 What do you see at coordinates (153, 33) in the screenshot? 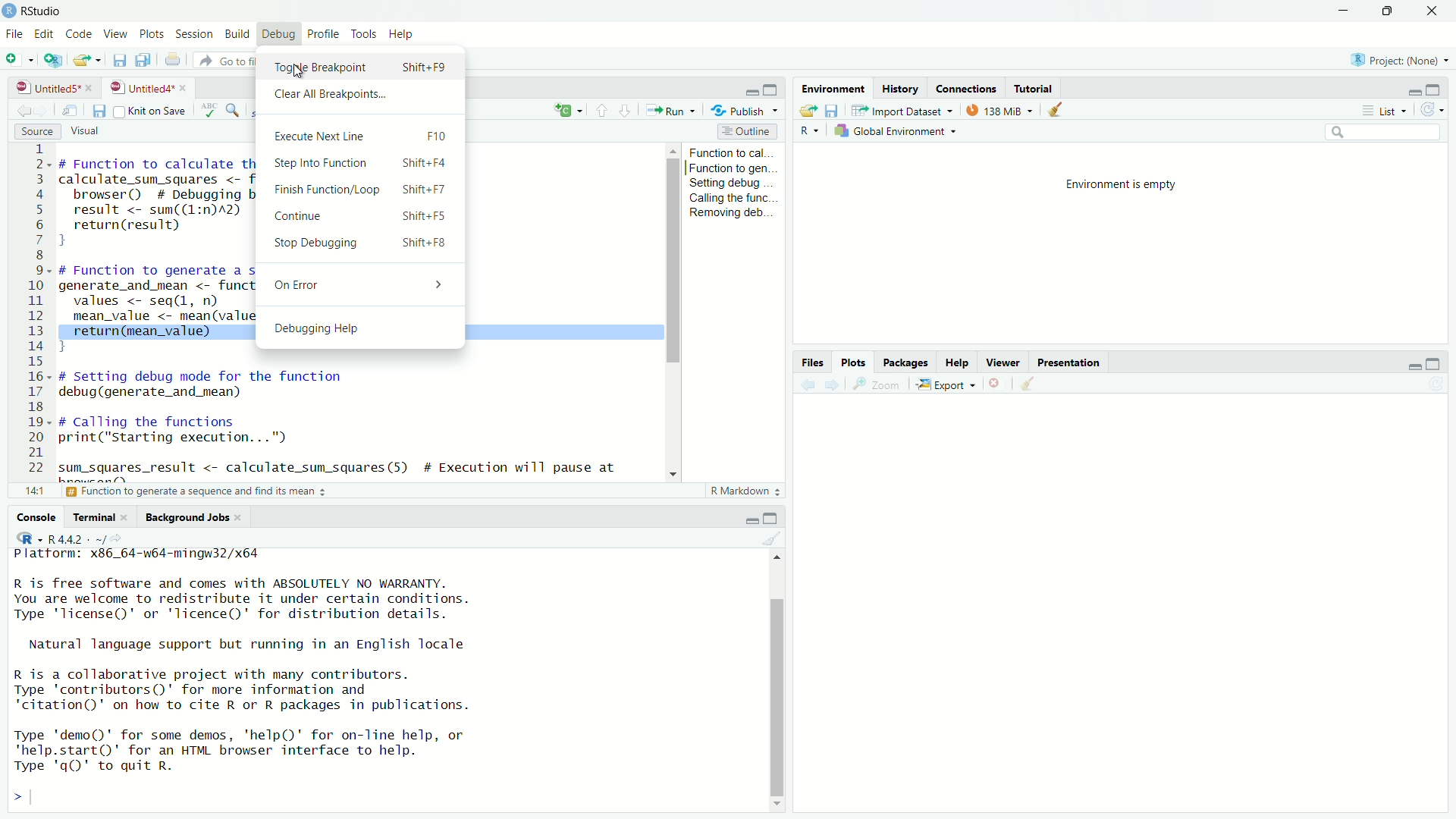
I see `plots` at bounding box center [153, 33].